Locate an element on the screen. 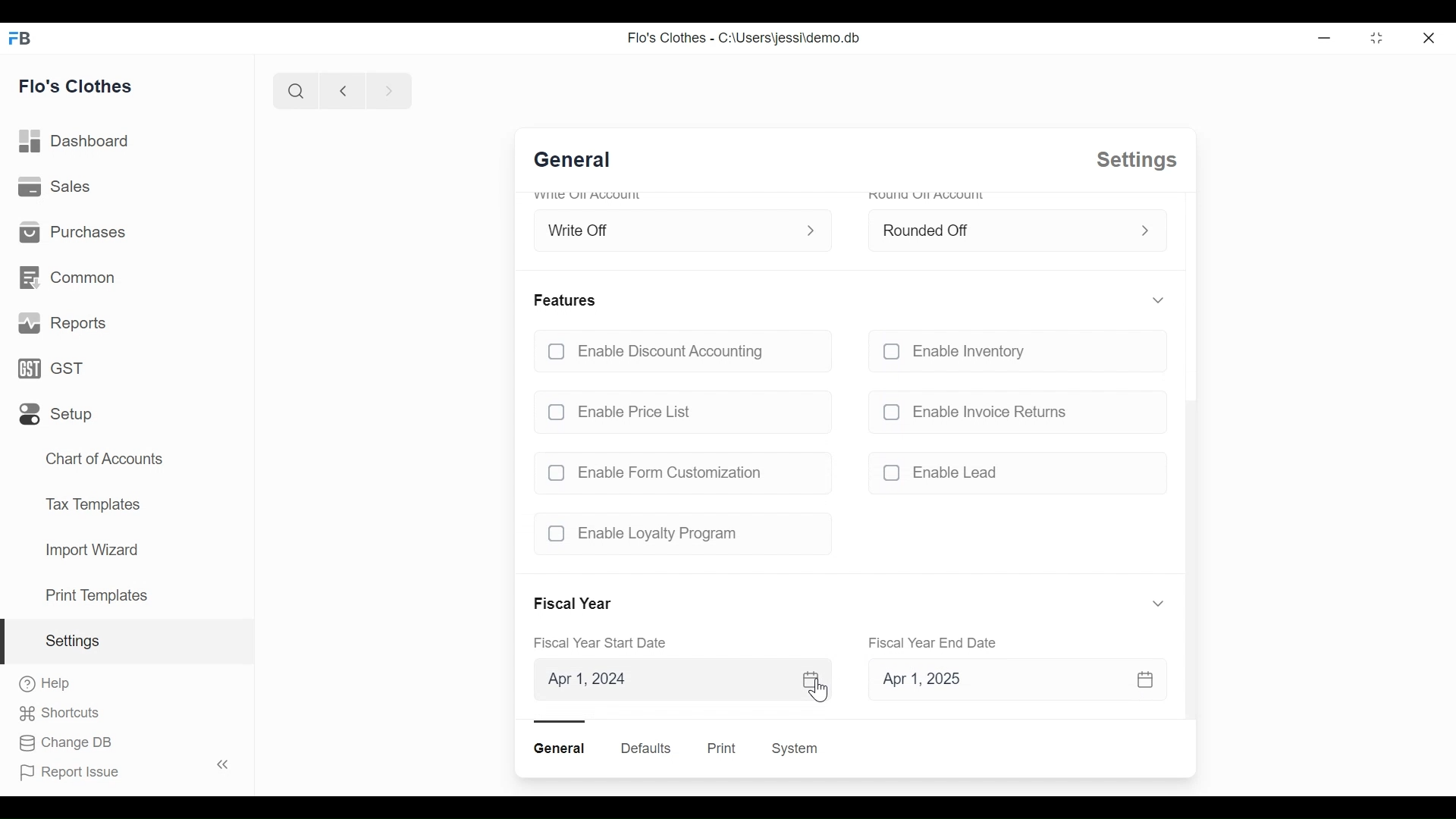 This screenshot has width=1456, height=819. Common is located at coordinates (70, 280).